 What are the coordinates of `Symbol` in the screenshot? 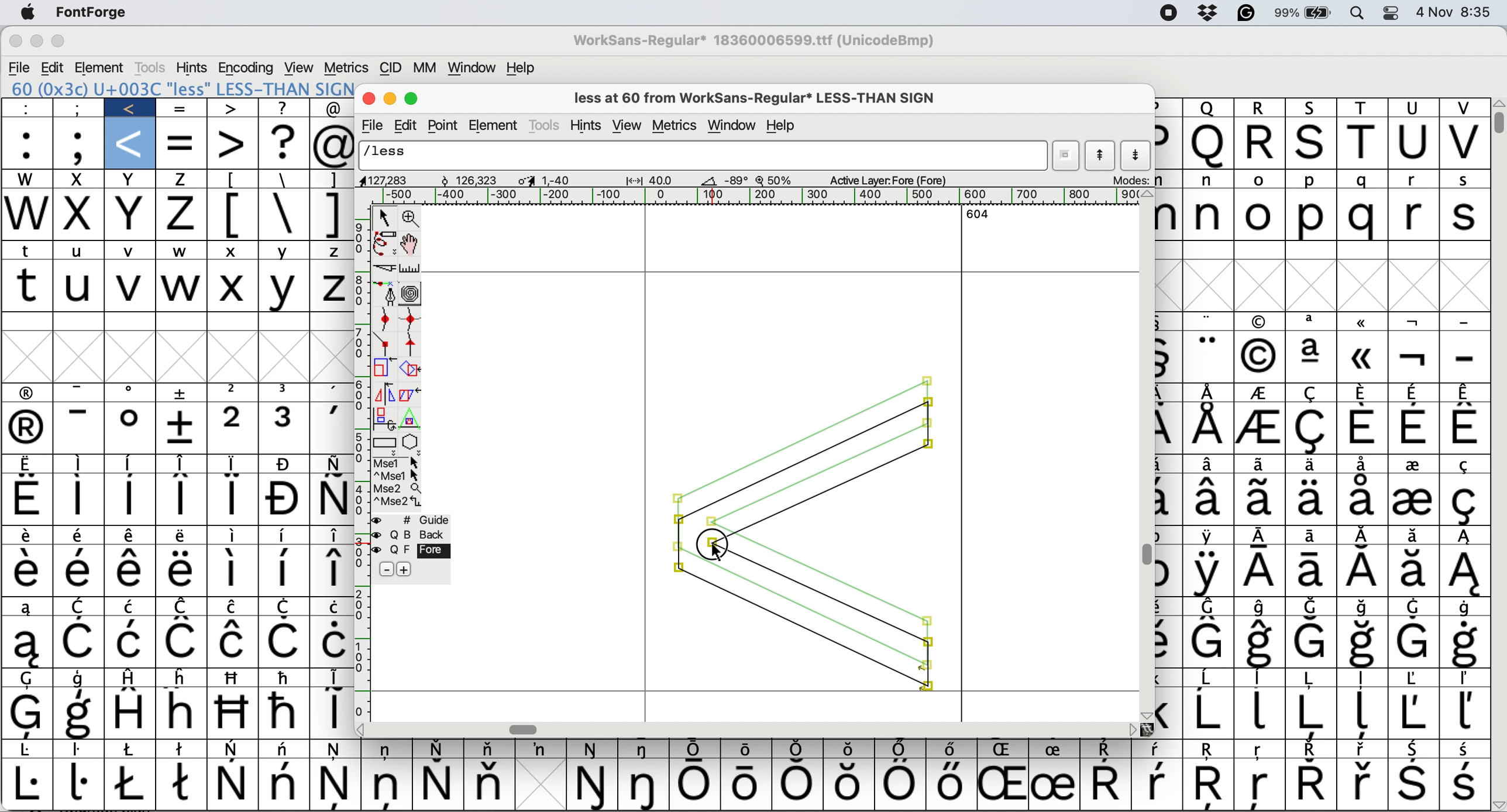 It's located at (1465, 679).